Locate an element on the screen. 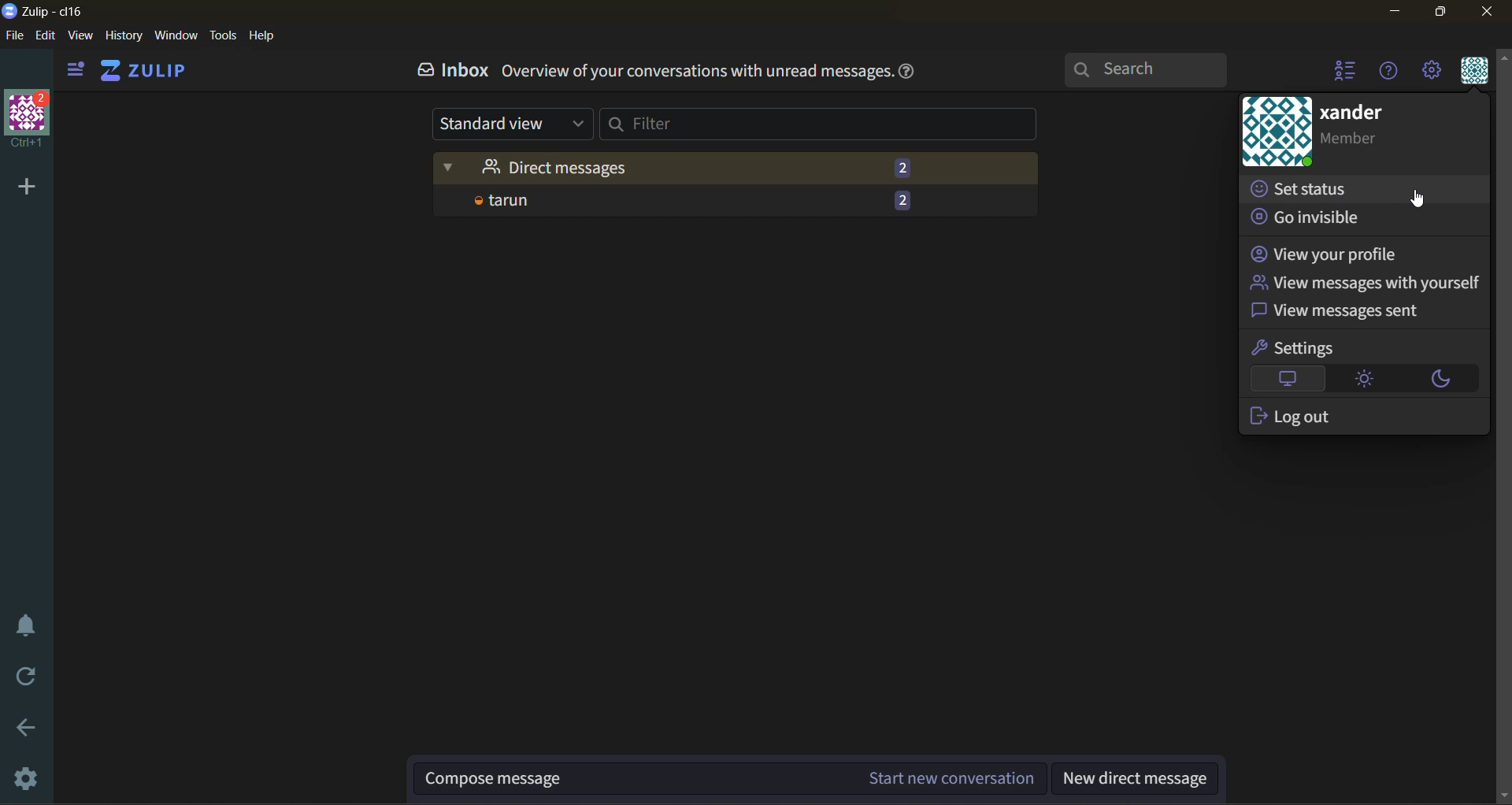 The image size is (1512, 805). close is located at coordinates (1489, 14).